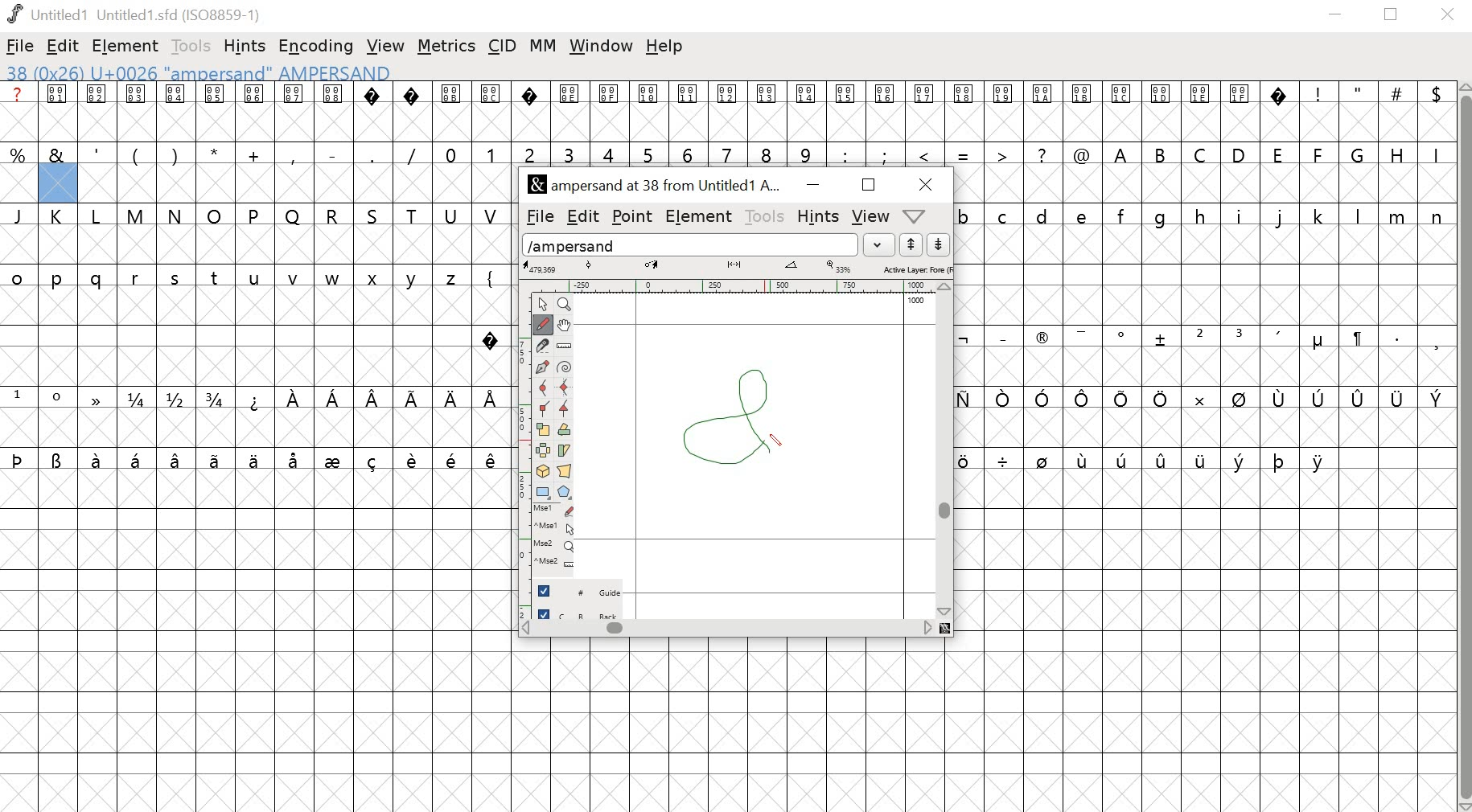 The image size is (1472, 812). I want to click on t, so click(216, 278).